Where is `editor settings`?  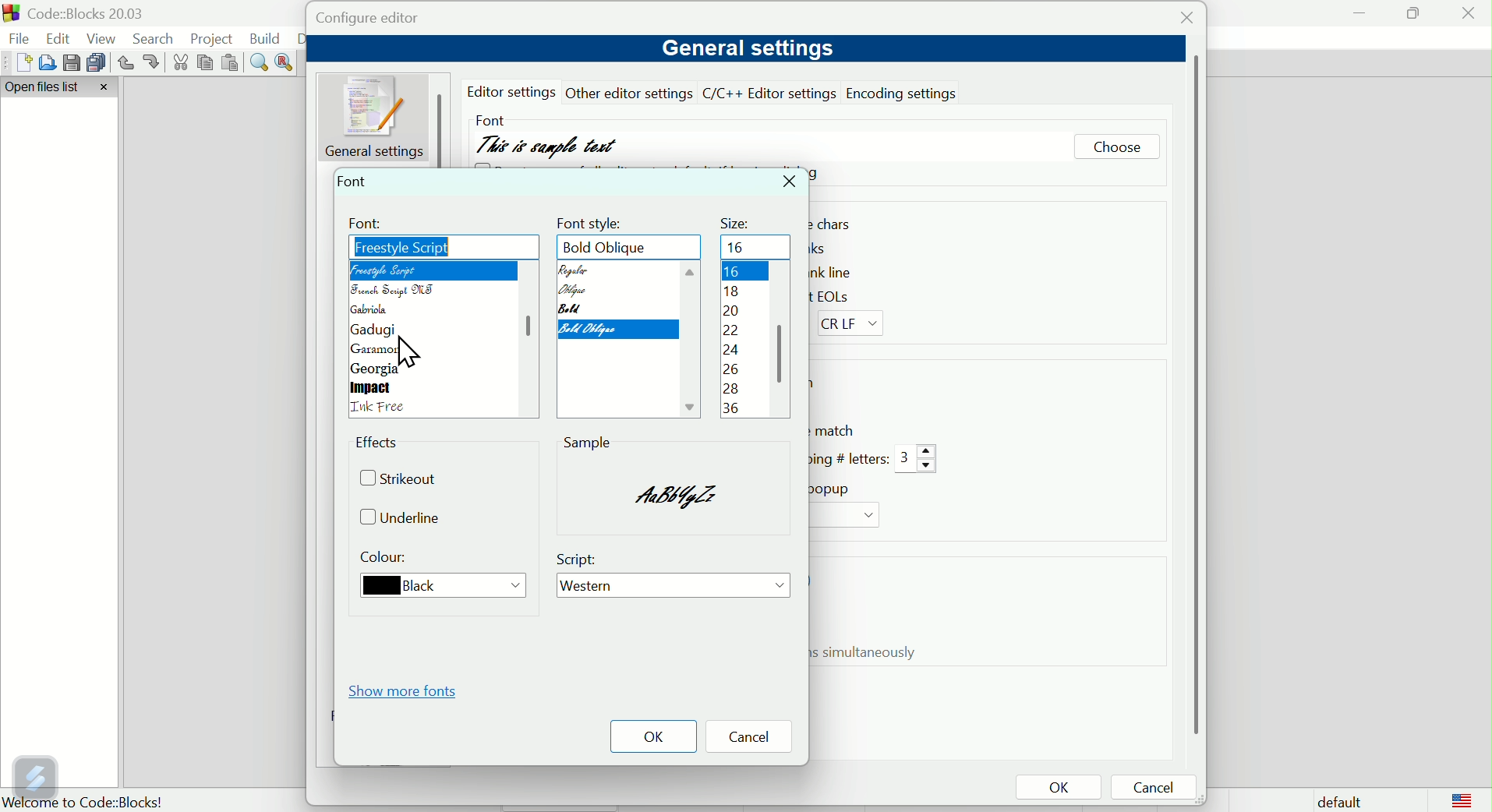
editor settings is located at coordinates (514, 92).